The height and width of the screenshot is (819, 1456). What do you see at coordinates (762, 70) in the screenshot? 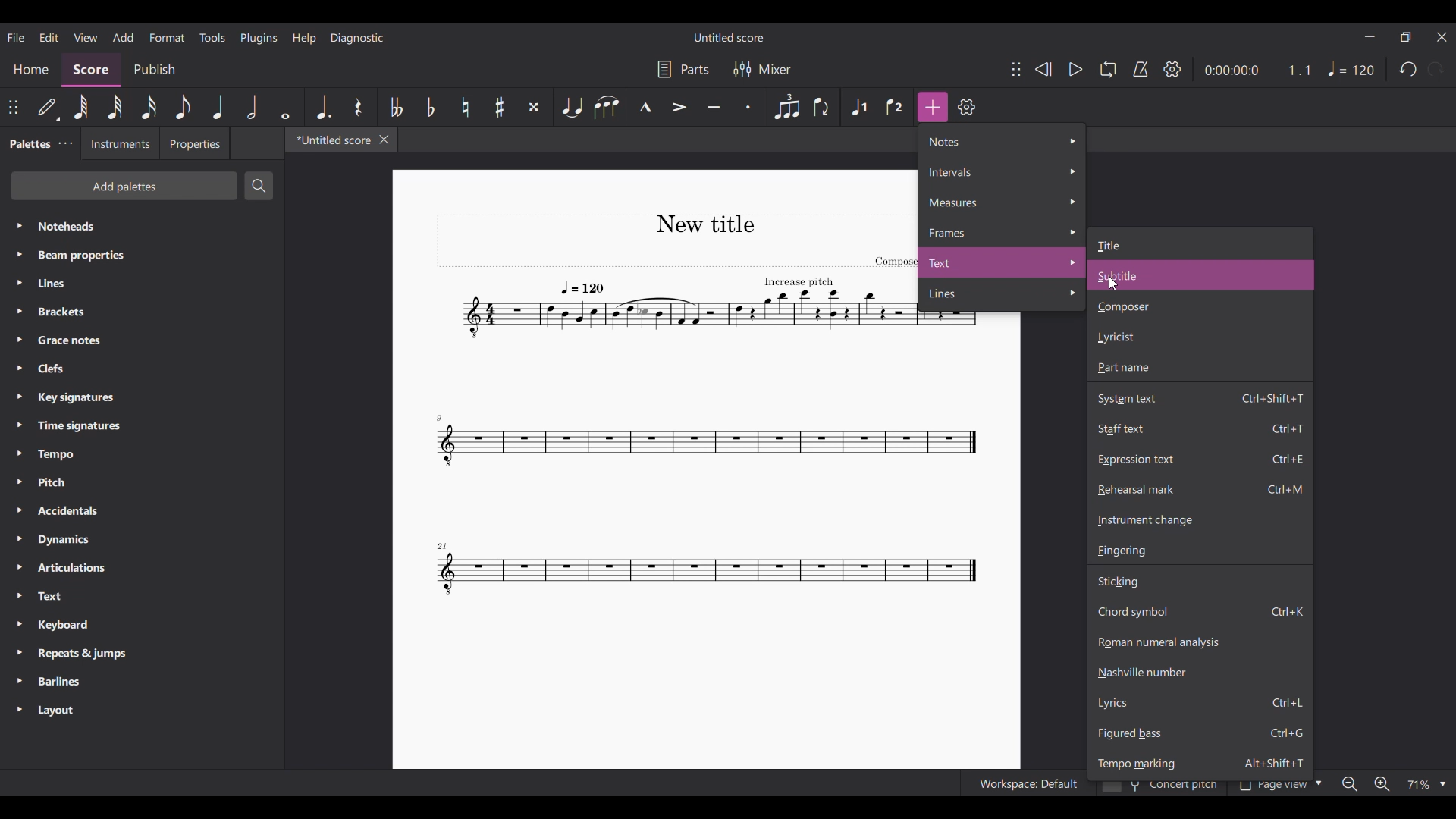
I see `Mixer settings` at bounding box center [762, 70].